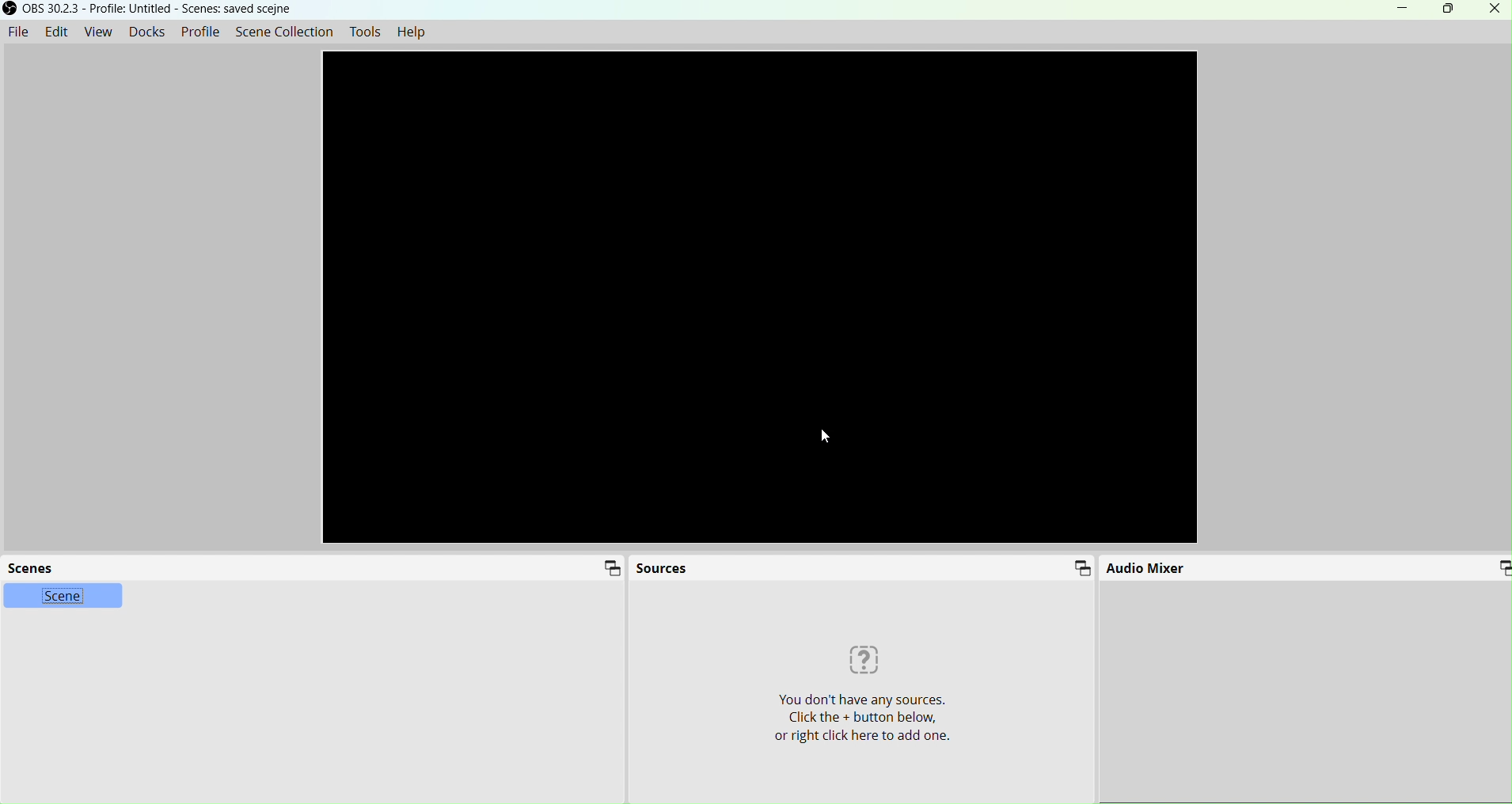  What do you see at coordinates (862, 698) in the screenshot?
I see `You don't have any sources.Click the + button below,r right click here to add one.` at bounding box center [862, 698].